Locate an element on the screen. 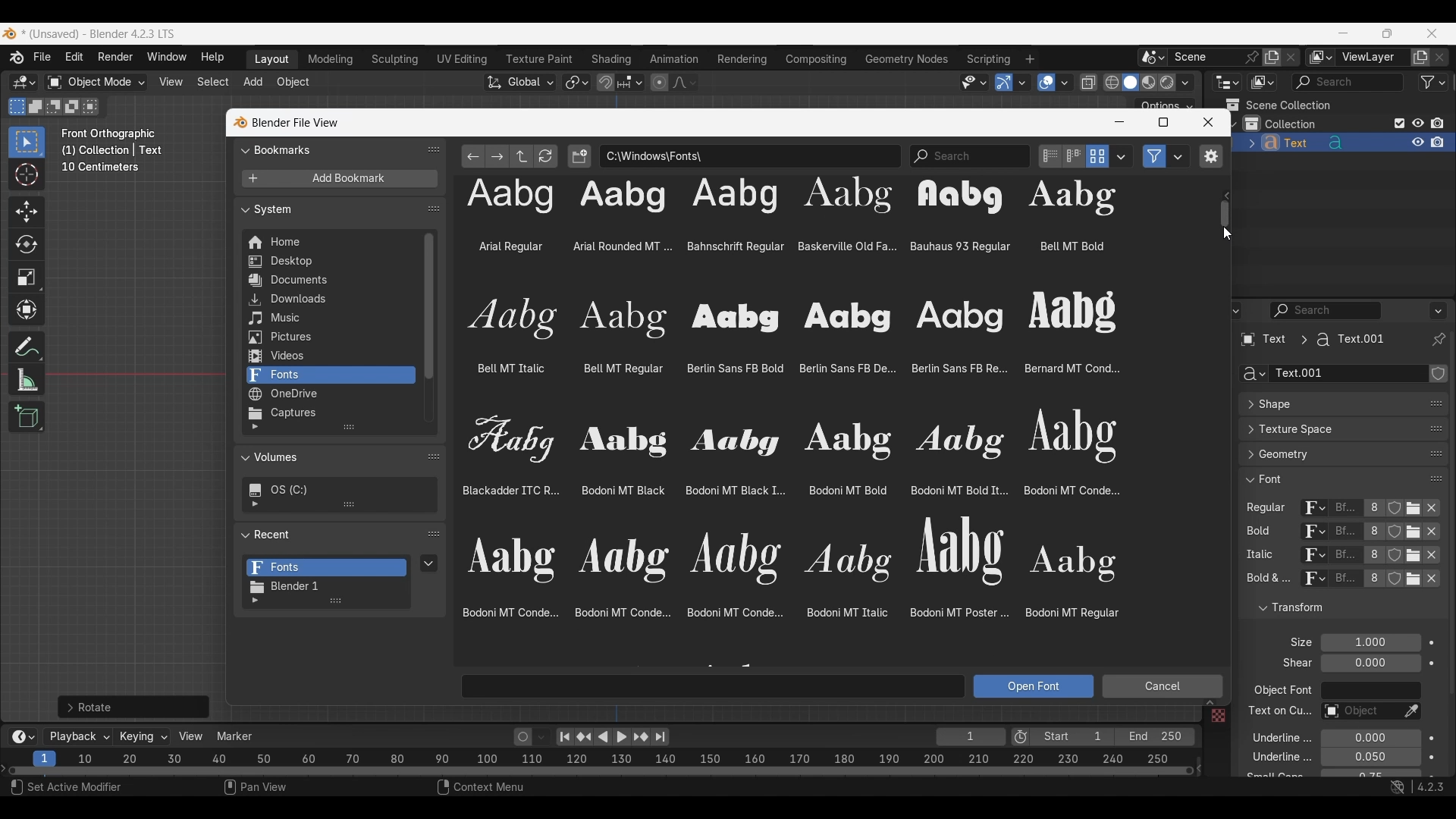 Image resolution: width=1456 pixels, height=819 pixels. blender file view is located at coordinates (293, 122).